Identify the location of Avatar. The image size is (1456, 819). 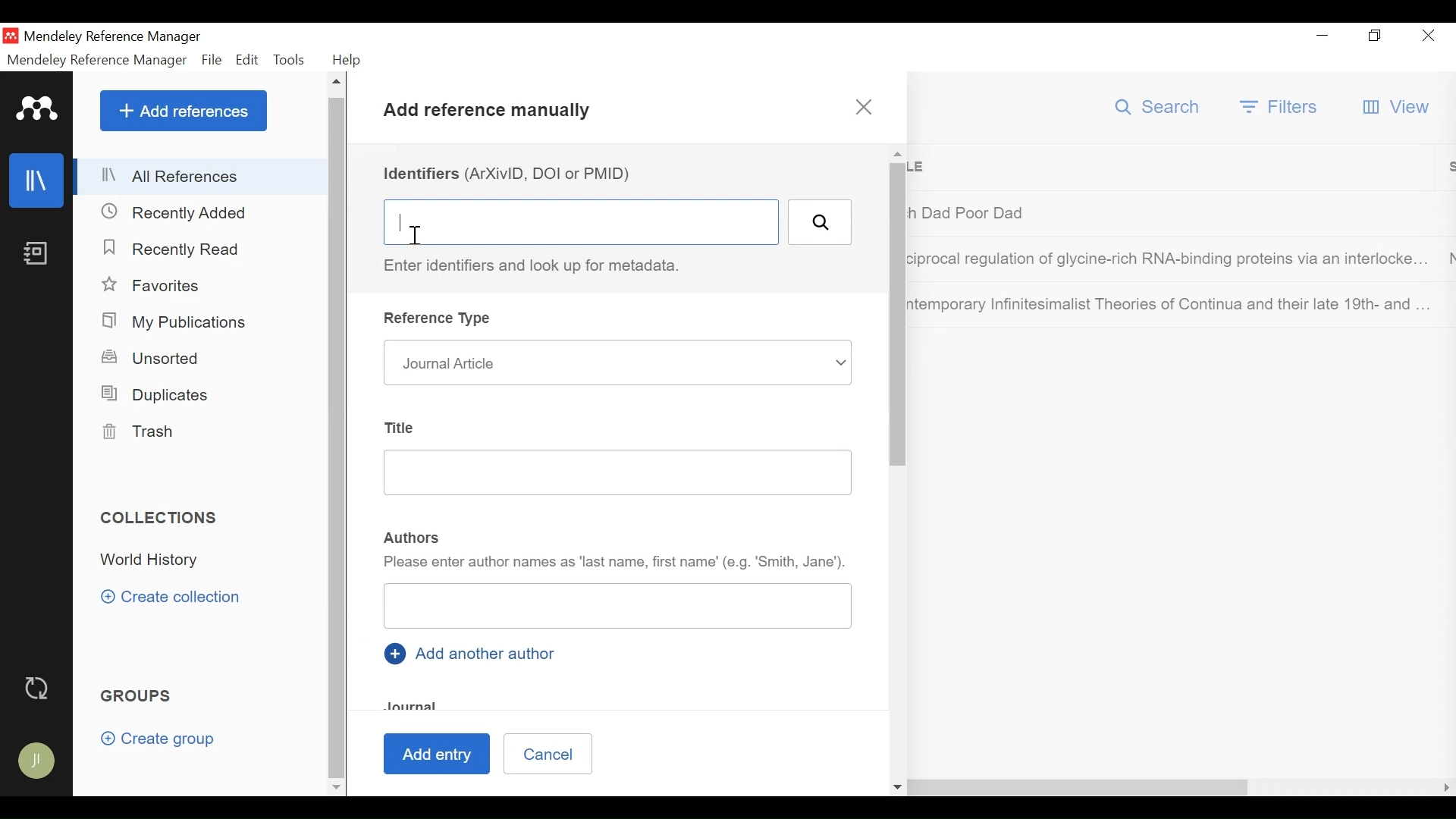
(36, 761).